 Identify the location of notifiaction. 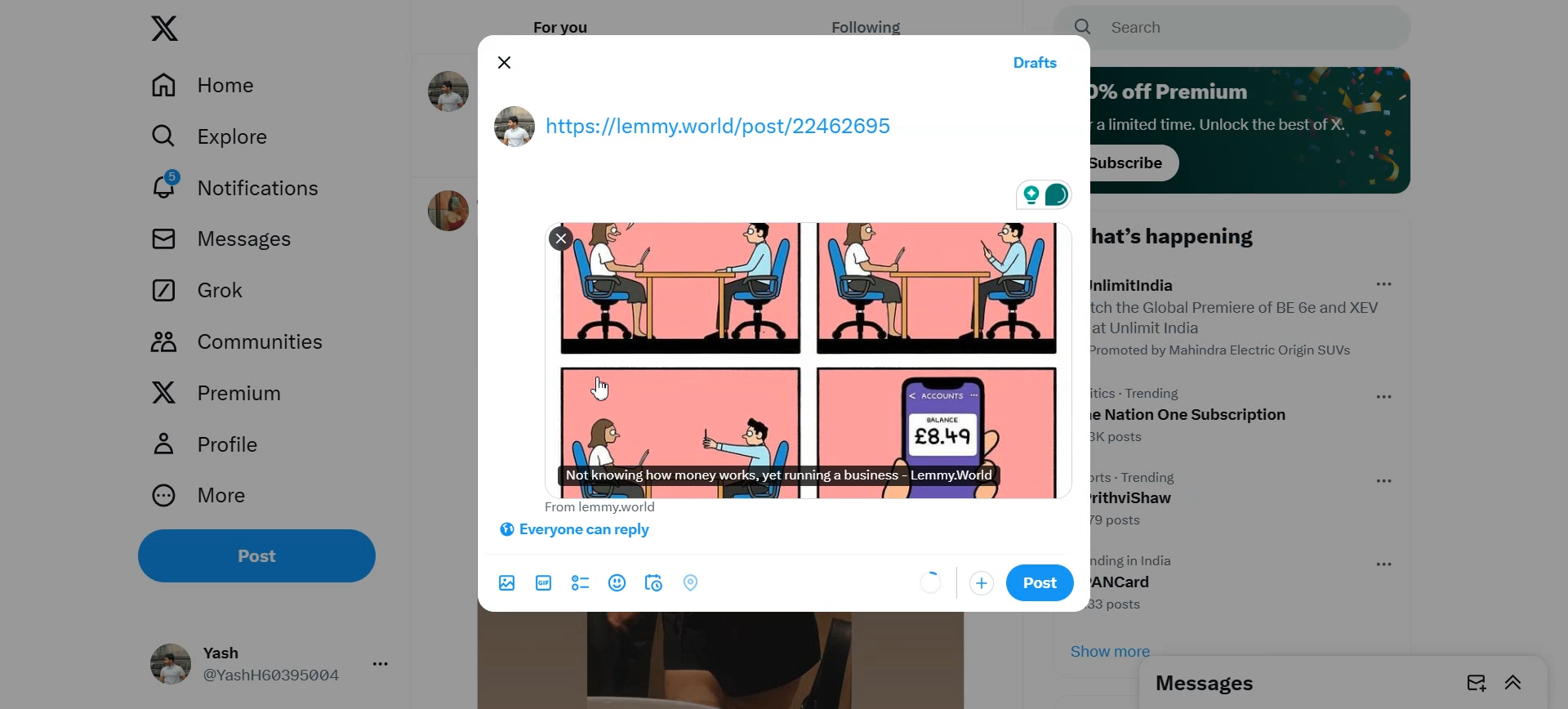
(229, 192).